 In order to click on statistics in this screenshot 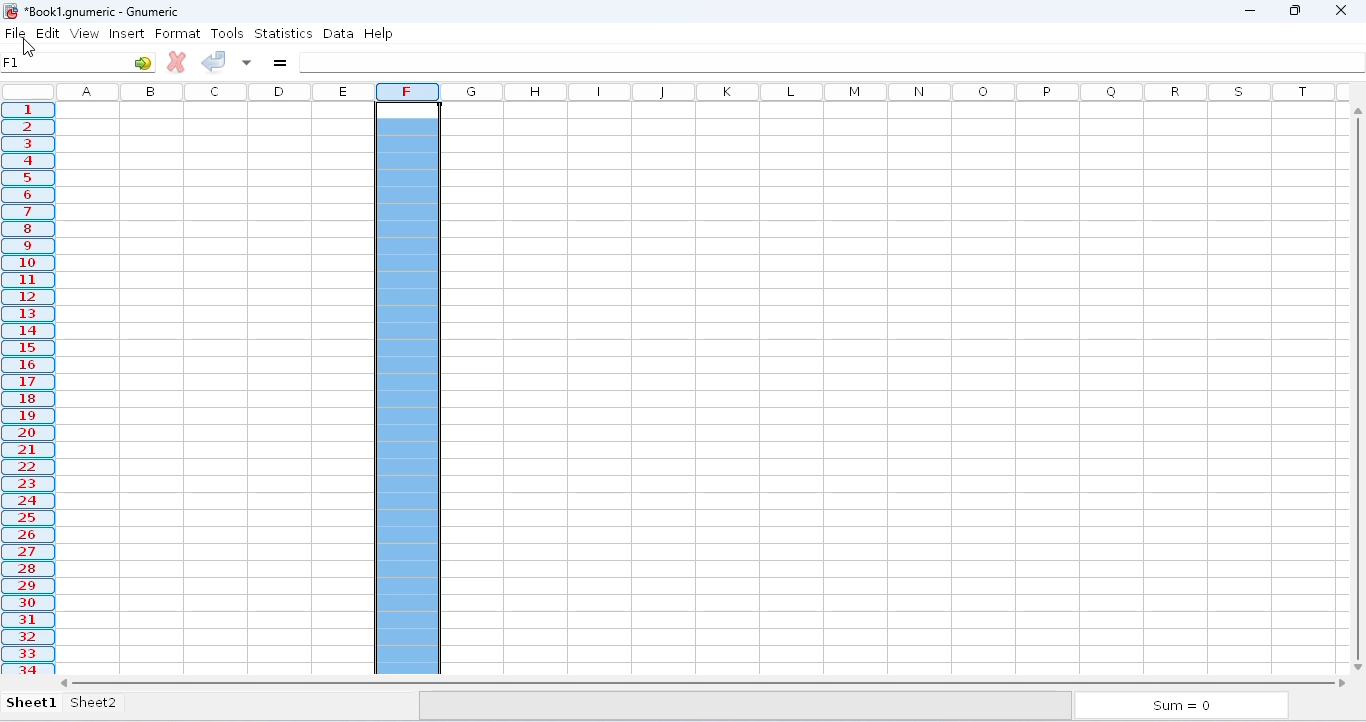, I will do `click(284, 32)`.